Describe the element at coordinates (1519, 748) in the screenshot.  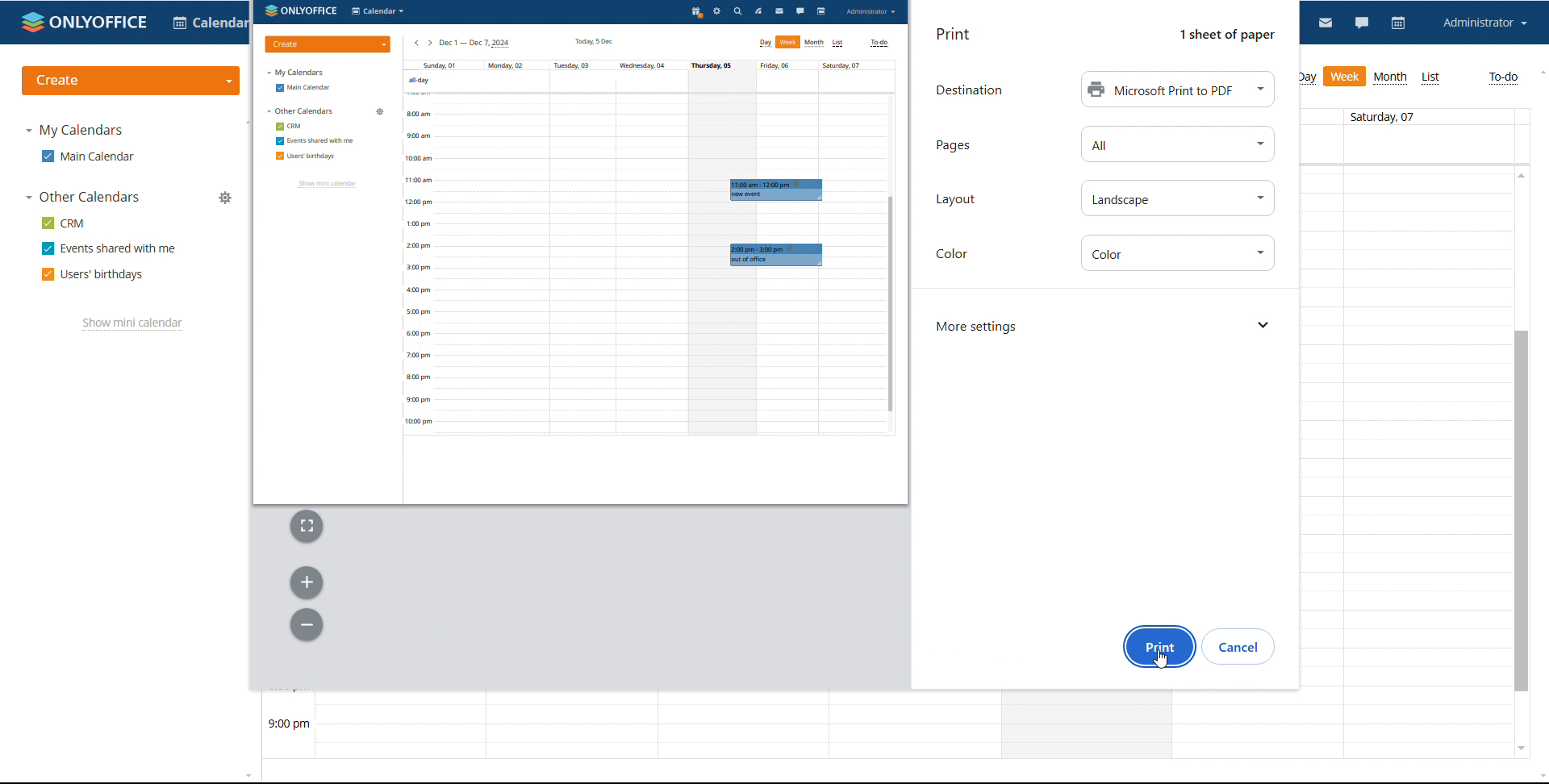
I see `scroll down` at that location.